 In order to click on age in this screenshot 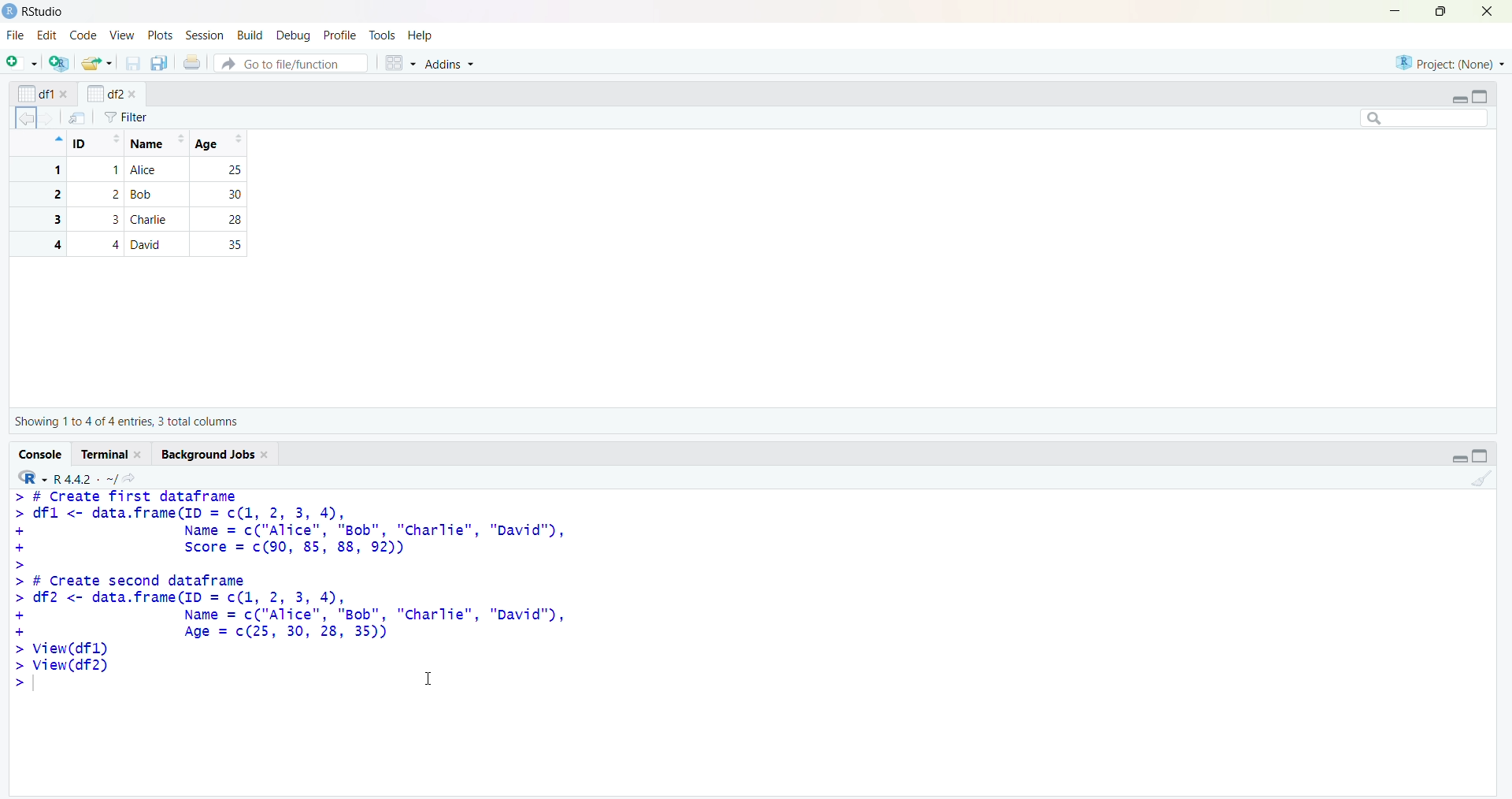, I will do `click(222, 143)`.